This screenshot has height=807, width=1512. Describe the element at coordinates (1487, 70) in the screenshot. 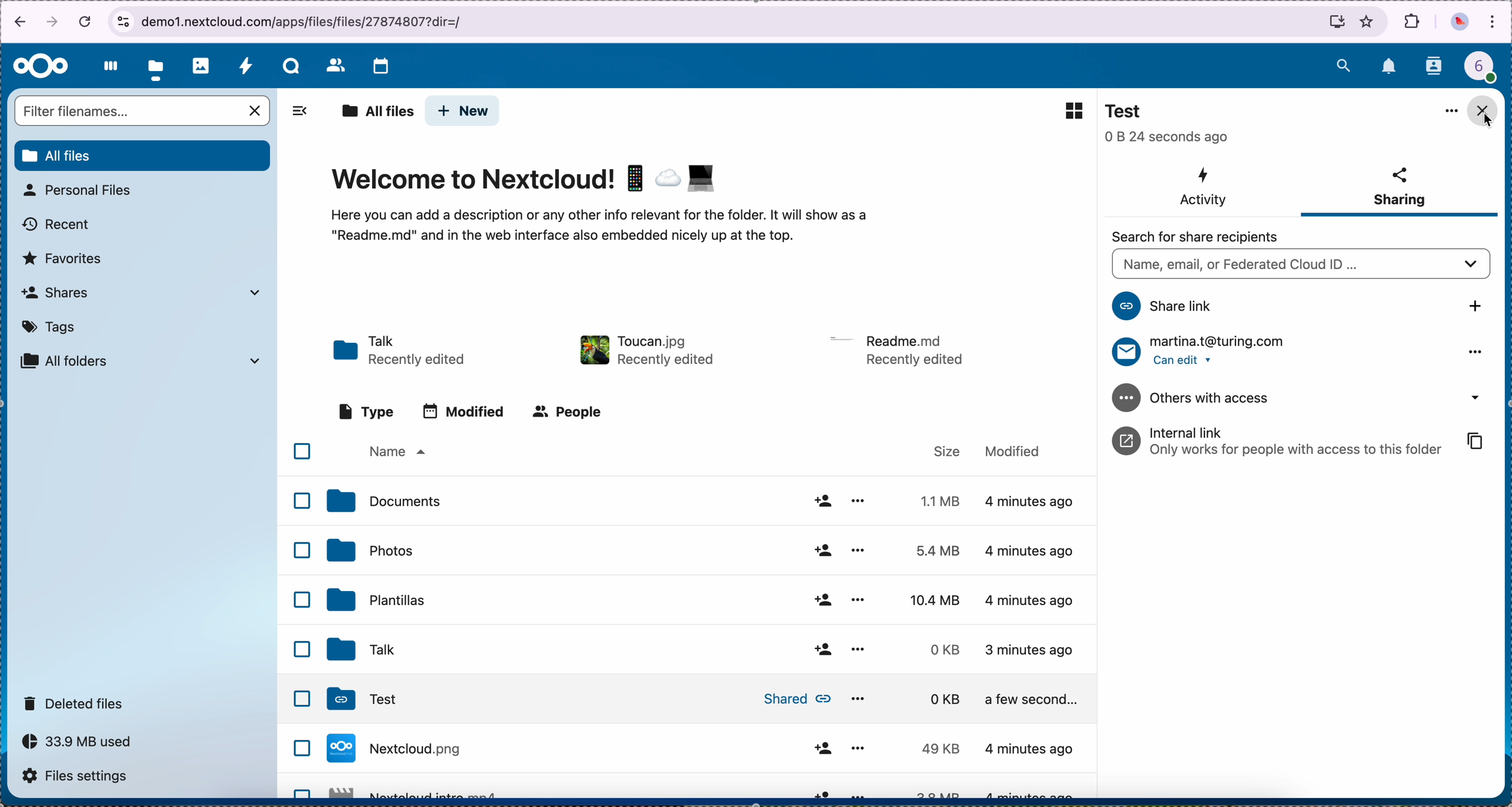

I see `profile` at that location.